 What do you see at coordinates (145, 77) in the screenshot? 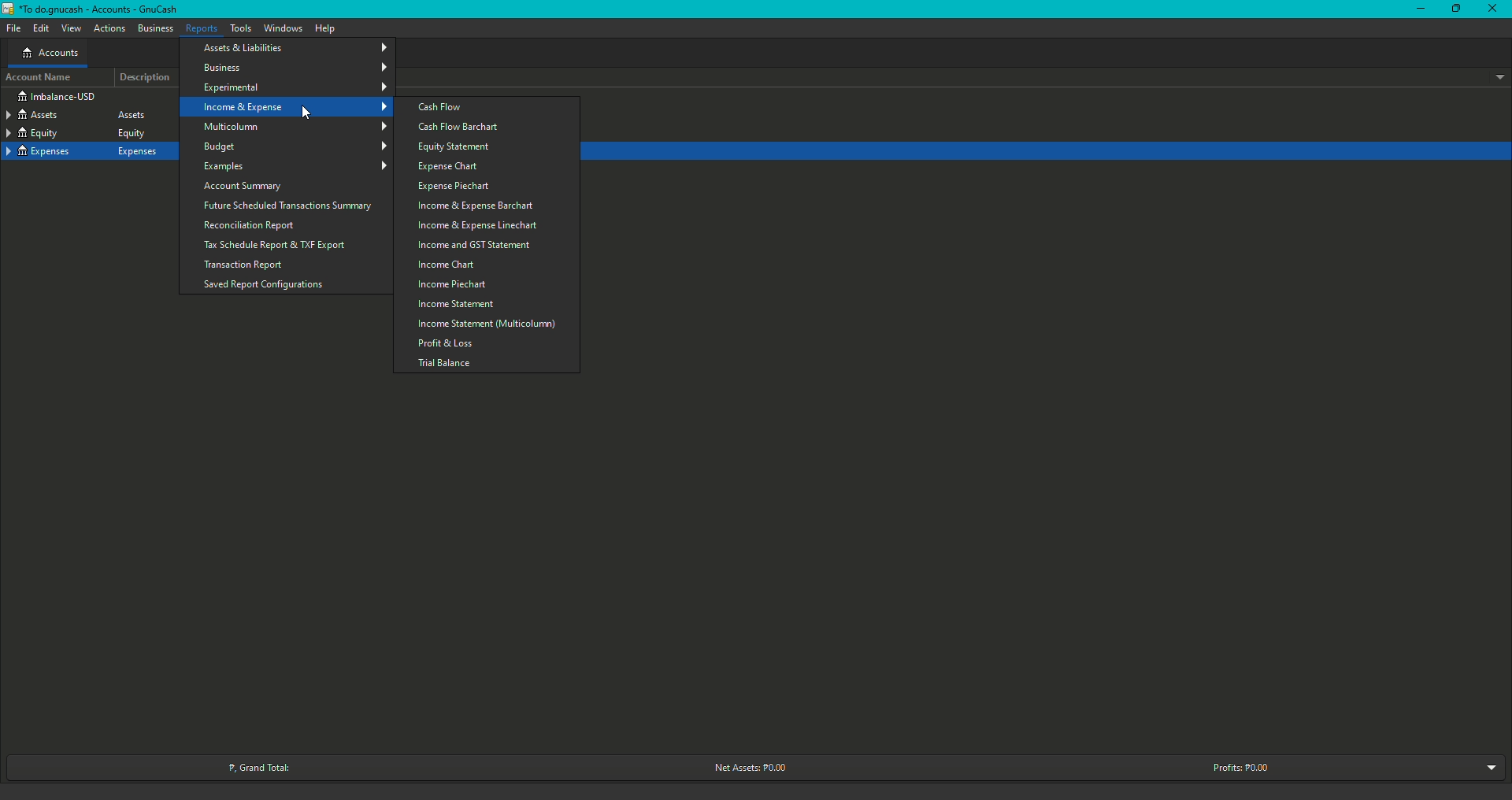
I see `Description` at bounding box center [145, 77].